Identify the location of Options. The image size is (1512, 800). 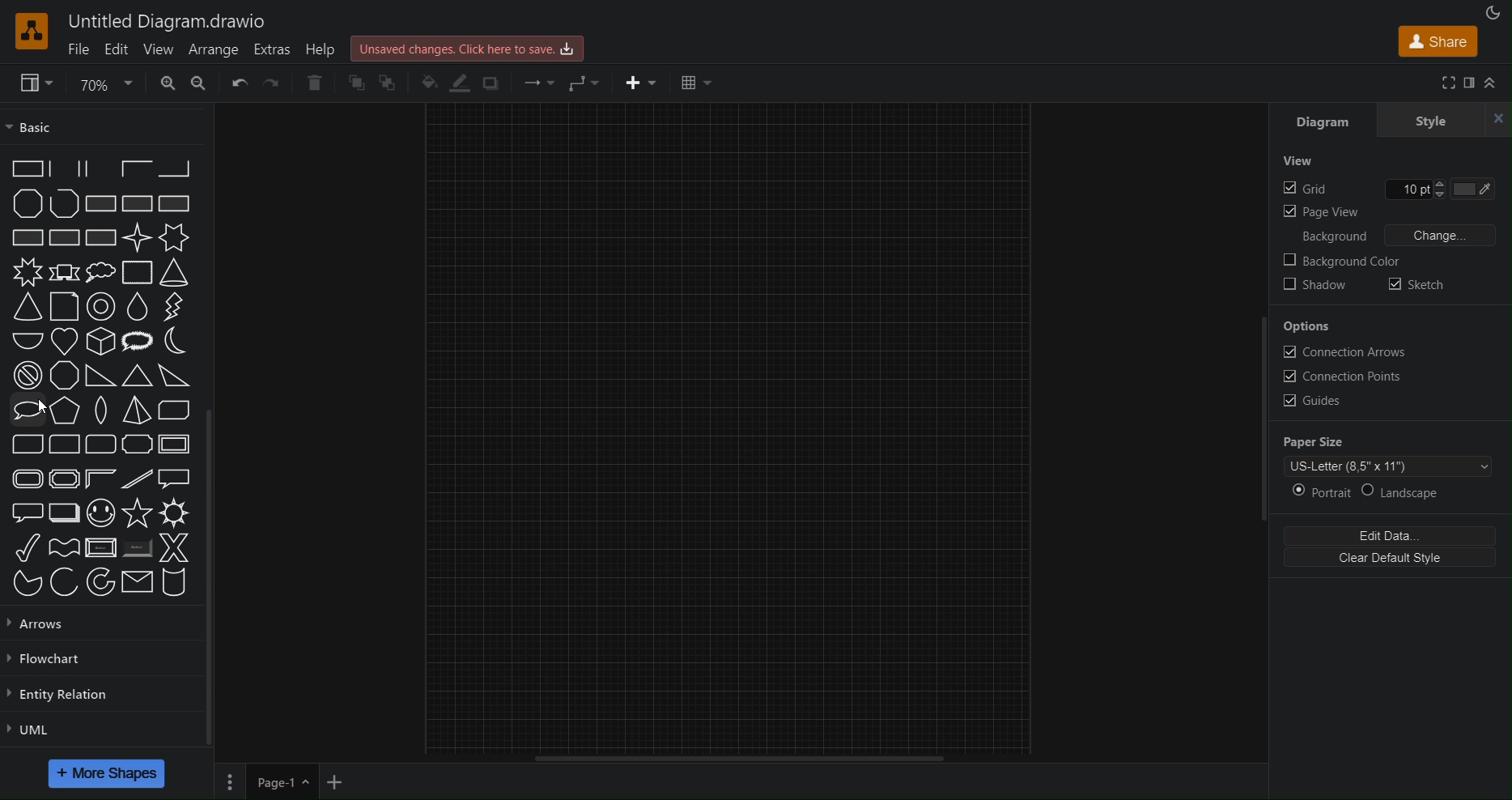
(1306, 327).